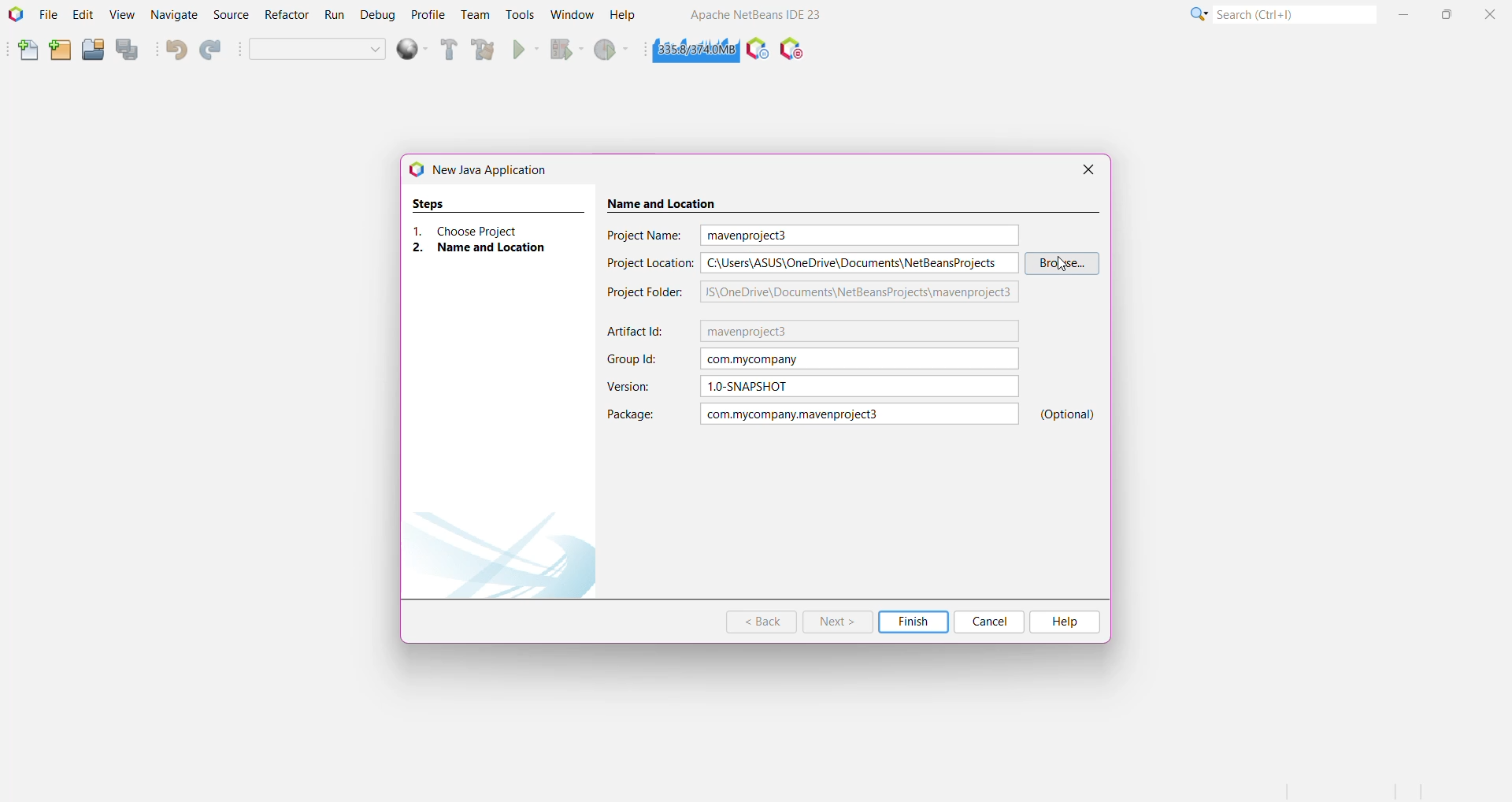  What do you see at coordinates (229, 15) in the screenshot?
I see `Source` at bounding box center [229, 15].